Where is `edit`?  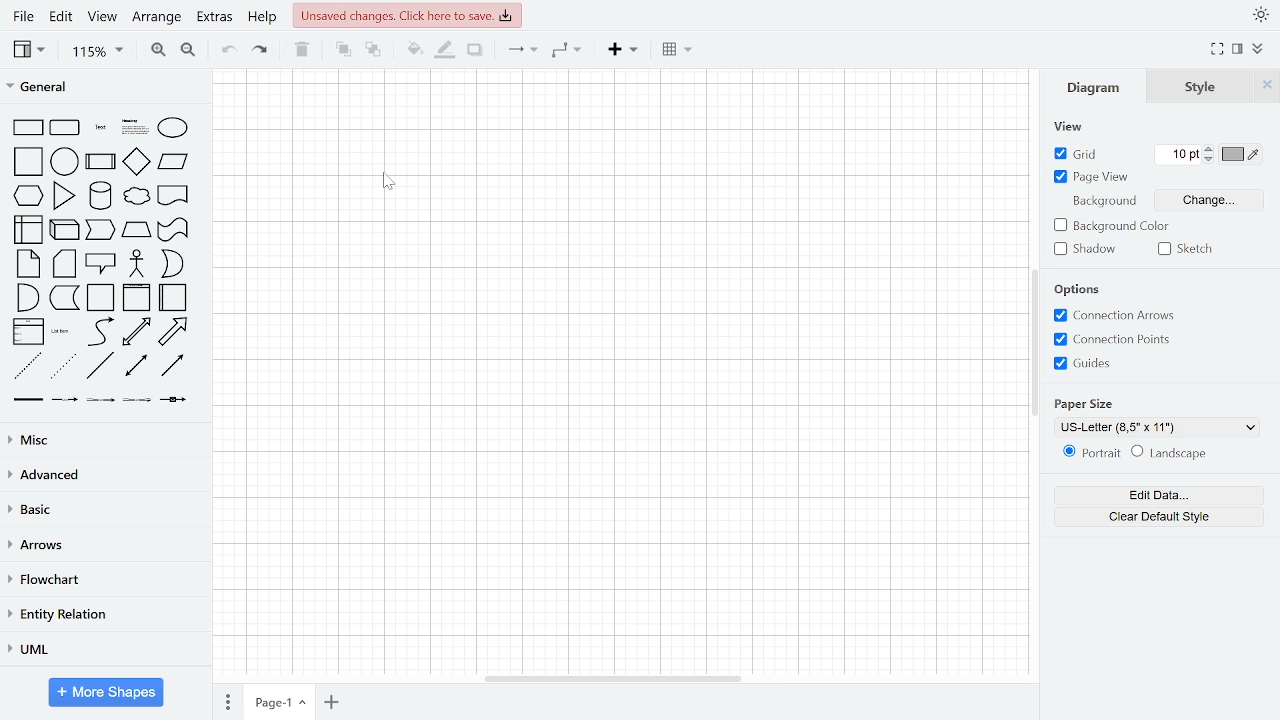
edit is located at coordinates (62, 17).